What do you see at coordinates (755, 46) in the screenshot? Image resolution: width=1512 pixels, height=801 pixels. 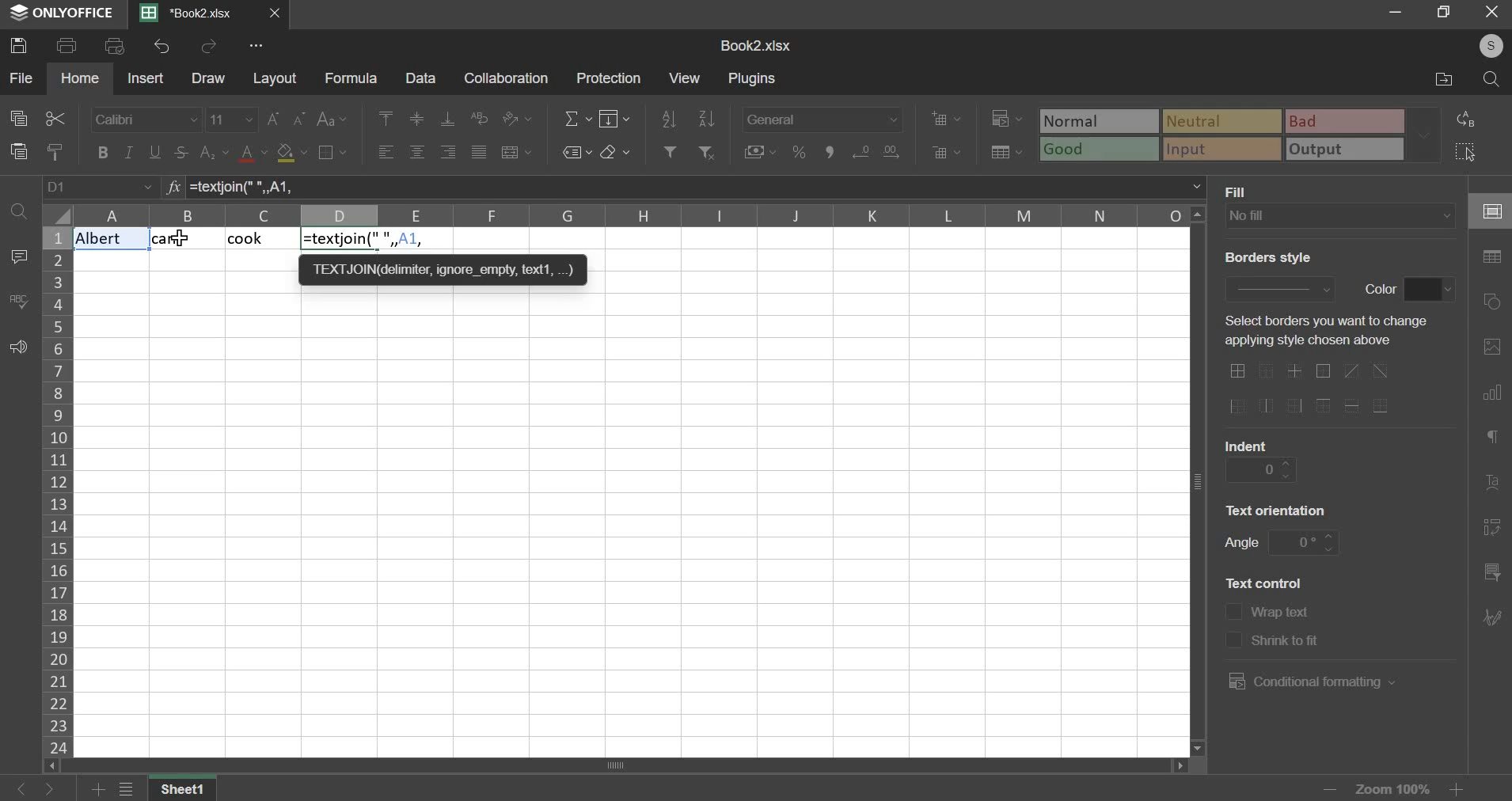 I see `spreadsheet name` at bounding box center [755, 46].